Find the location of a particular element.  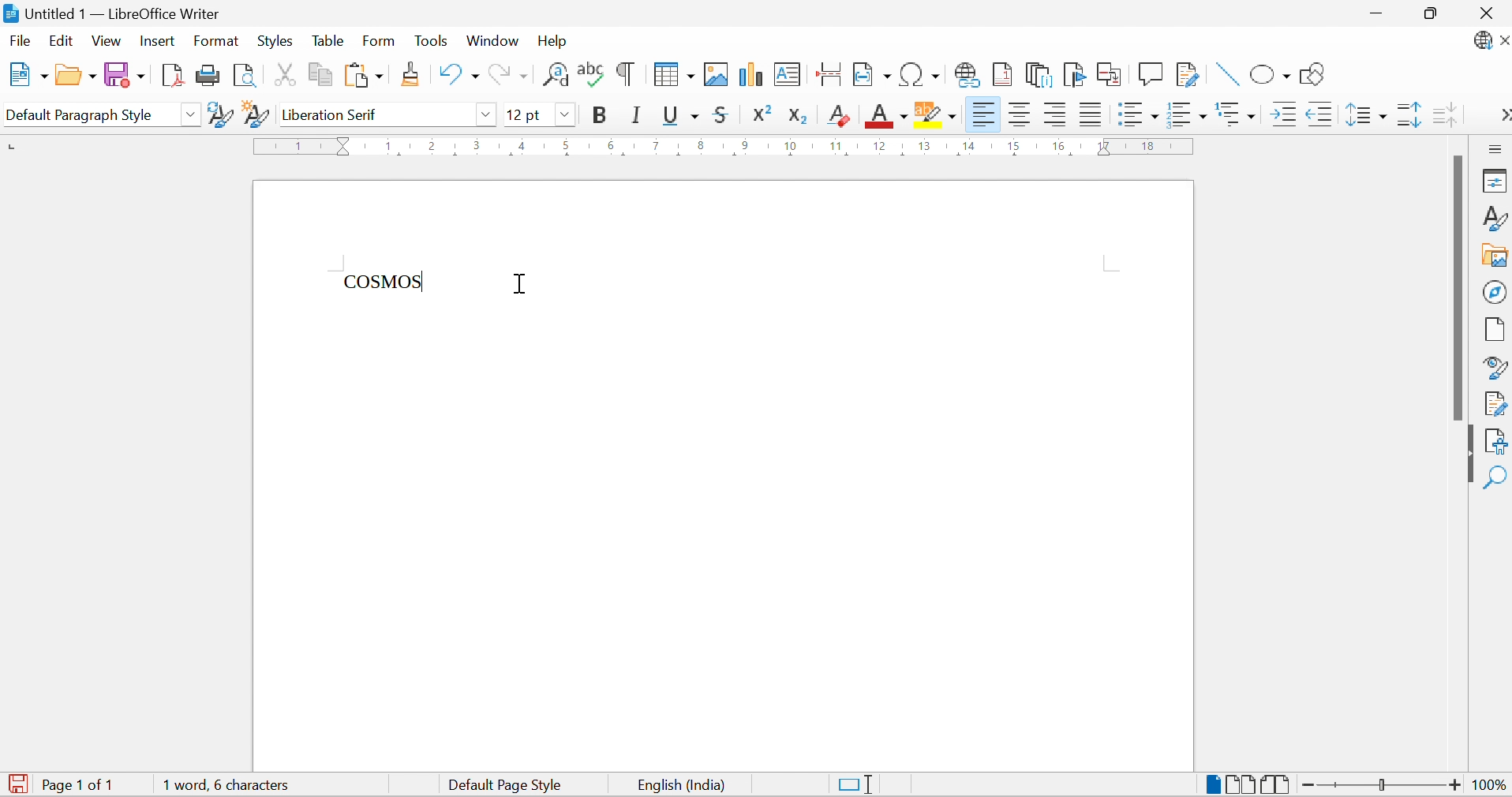

Insert Special Characters is located at coordinates (920, 74).